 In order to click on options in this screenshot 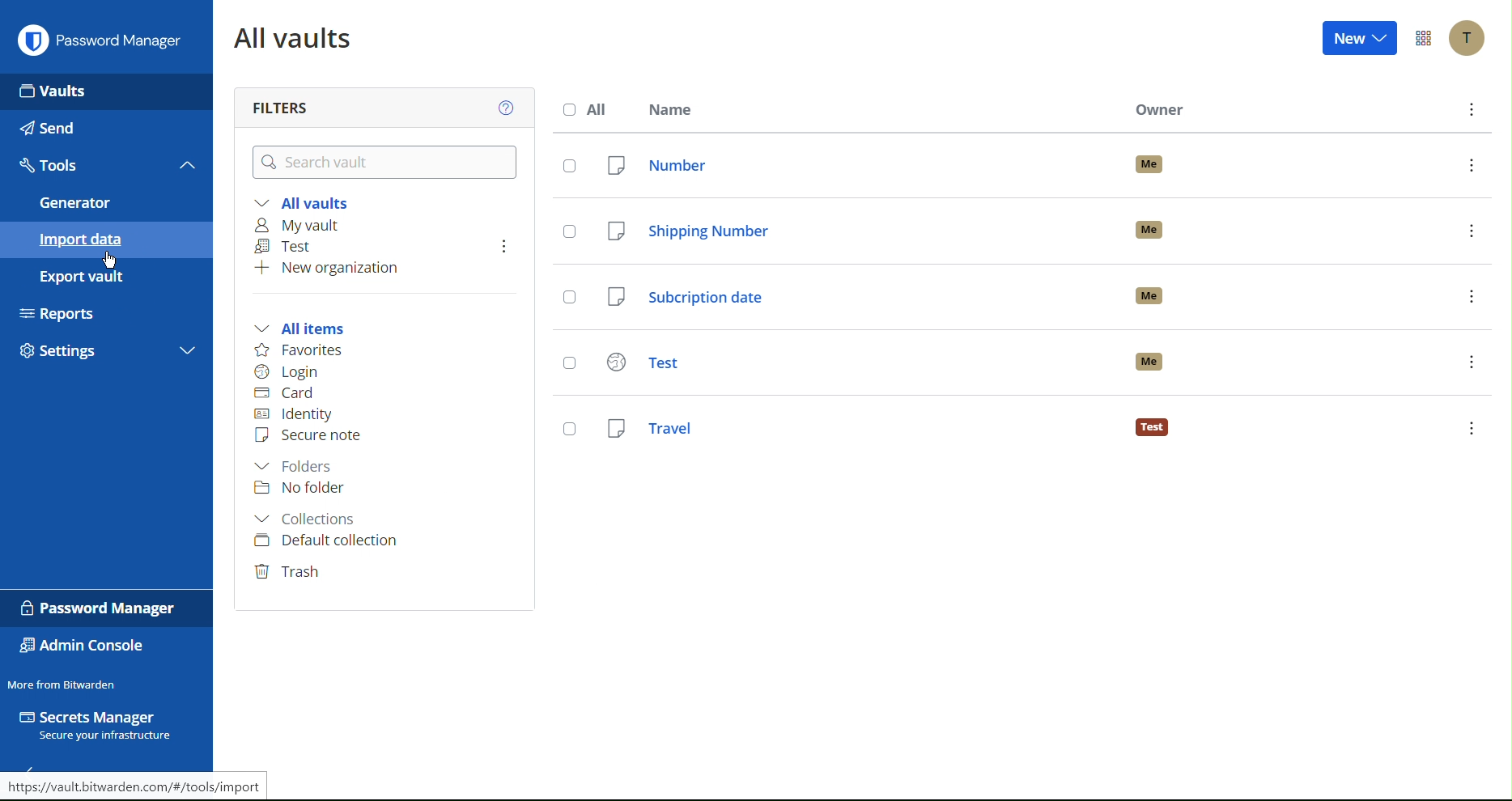, I will do `click(1474, 109)`.